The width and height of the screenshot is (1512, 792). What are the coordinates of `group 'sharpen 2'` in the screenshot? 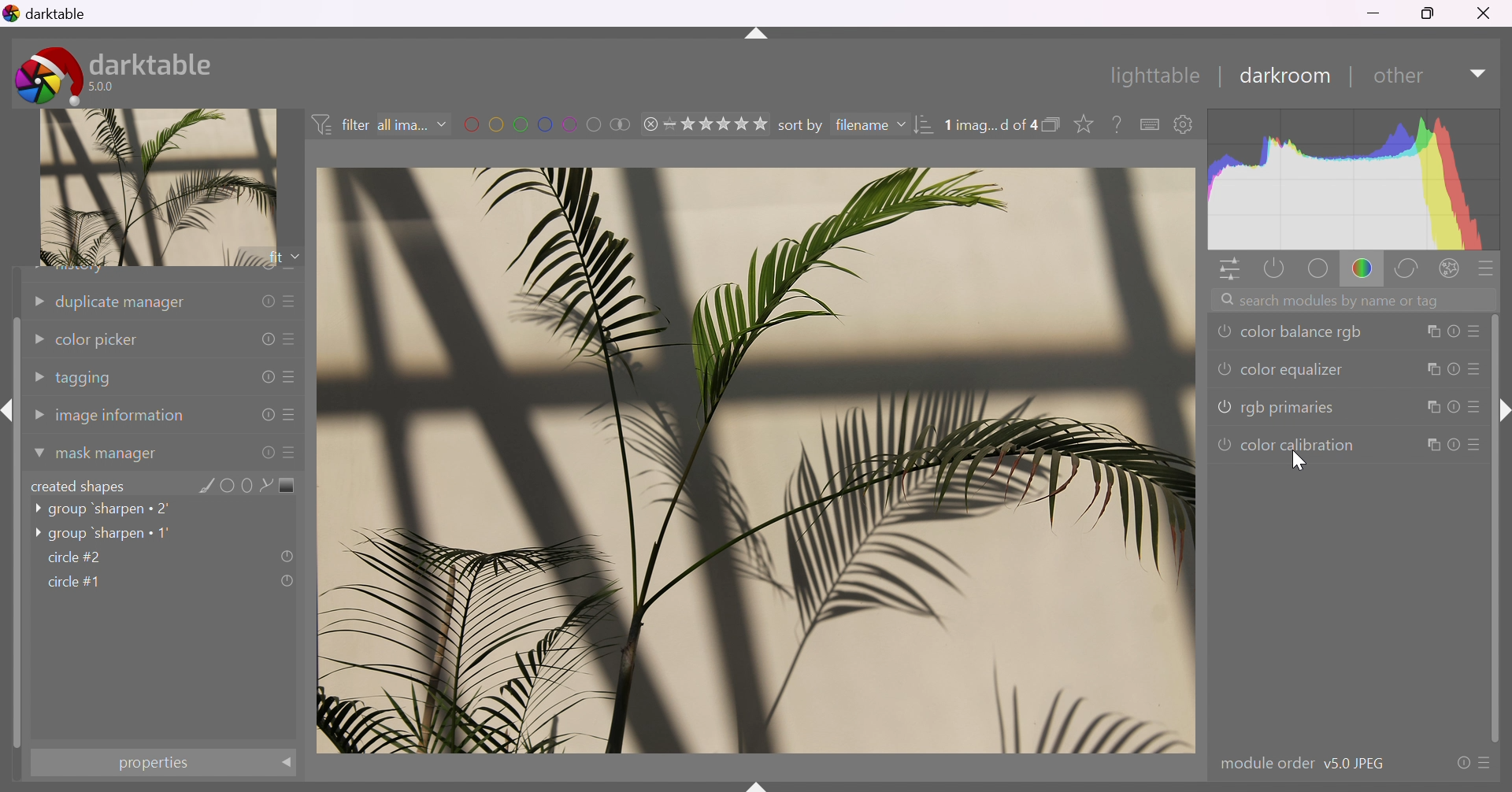 It's located at (100, 511).